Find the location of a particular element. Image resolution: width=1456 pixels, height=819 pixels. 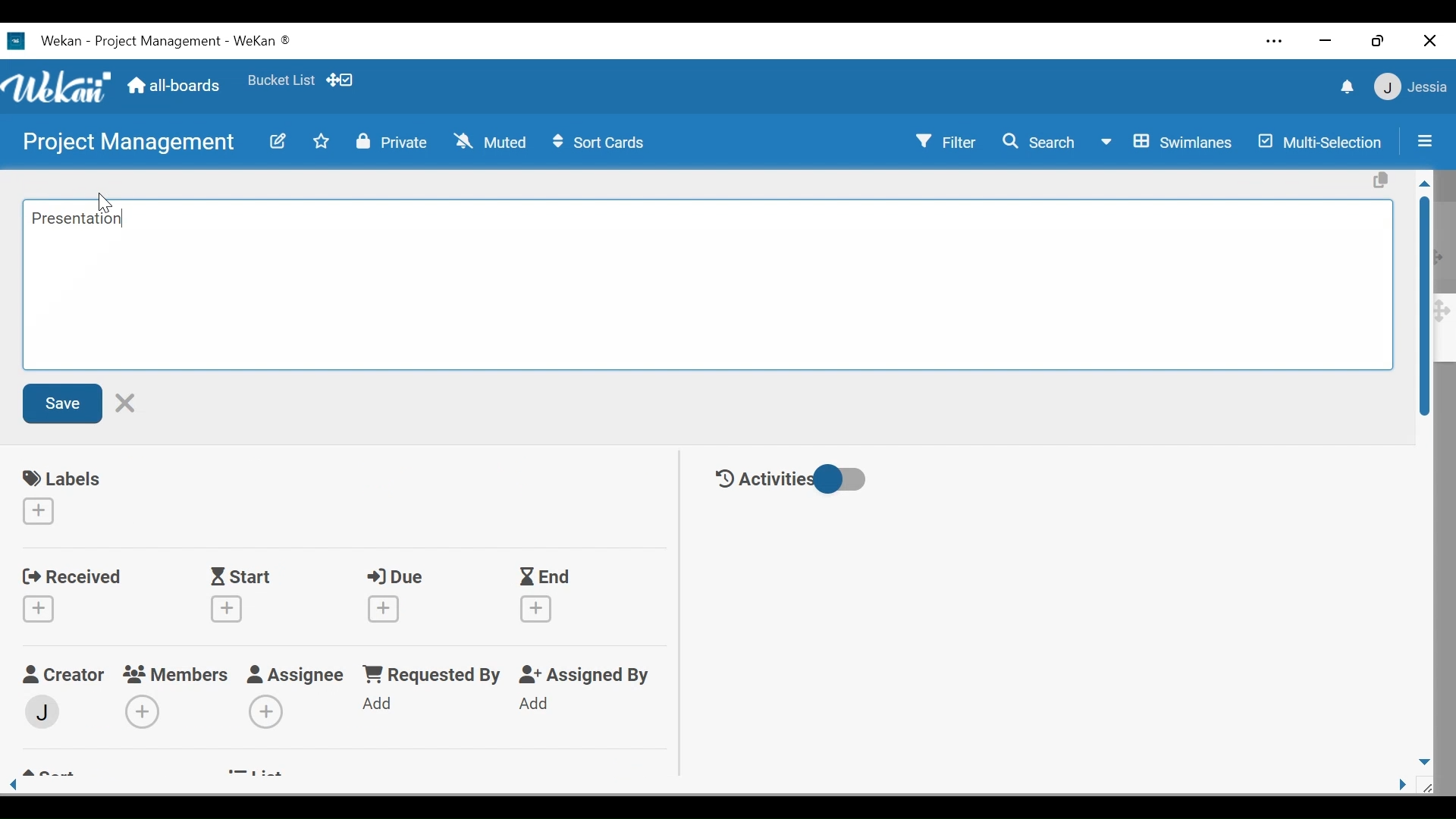

Add Requested By is located at coordinates (378, 704).